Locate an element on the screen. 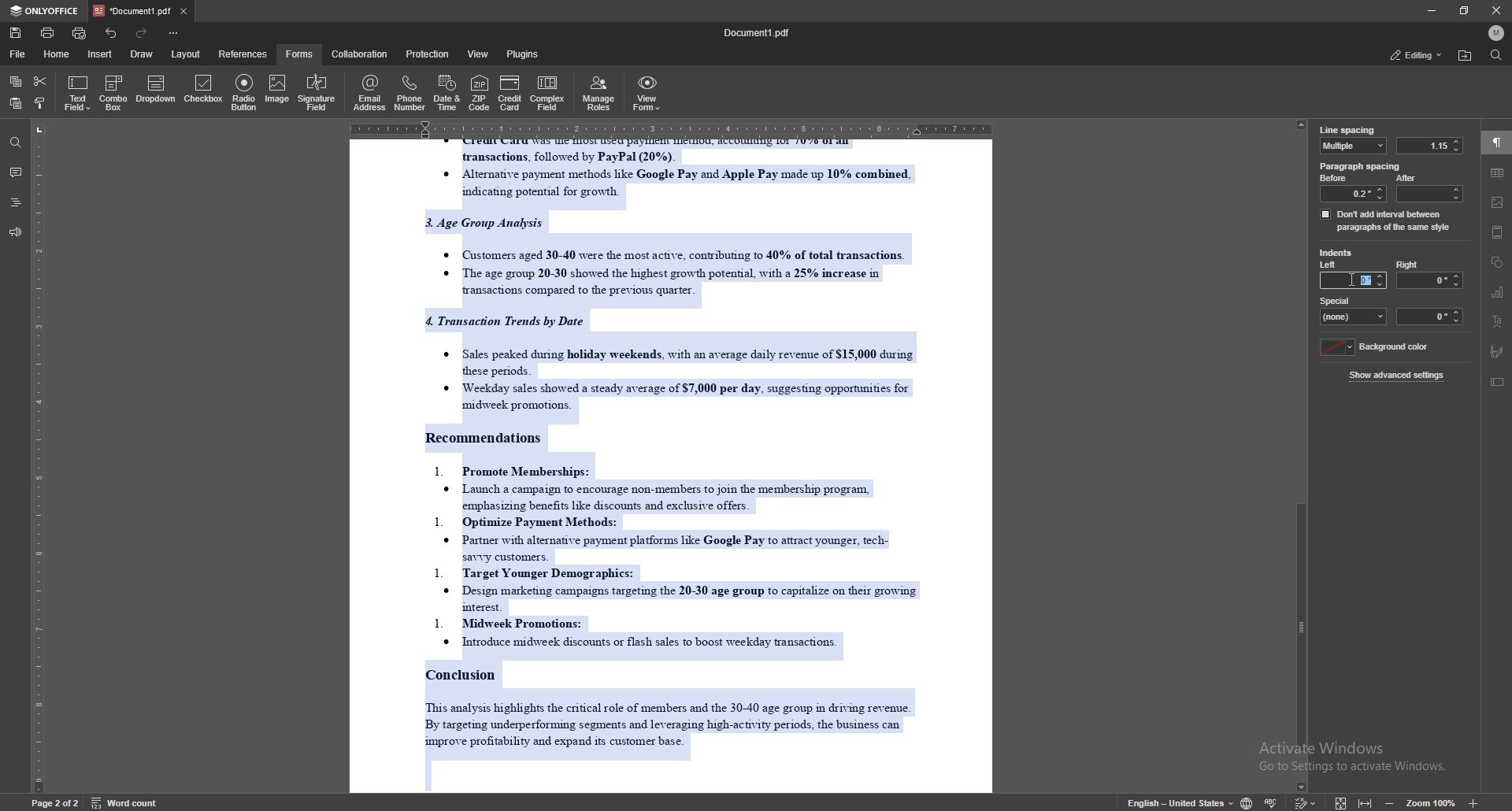  save is located at coordinates (16, 33).